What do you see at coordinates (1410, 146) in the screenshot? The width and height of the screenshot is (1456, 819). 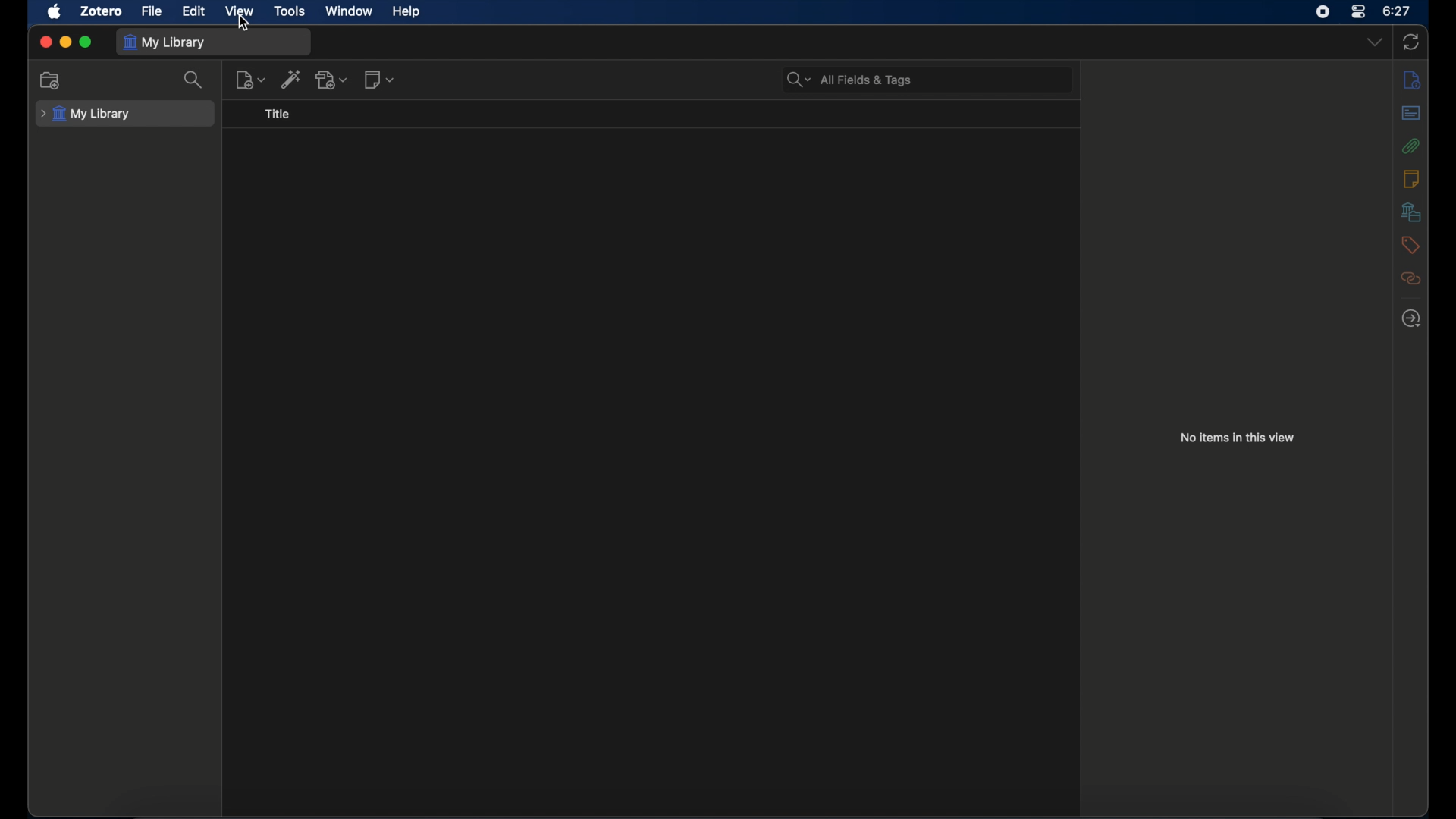 I see `attachments` at bounding box center [1410, 146].